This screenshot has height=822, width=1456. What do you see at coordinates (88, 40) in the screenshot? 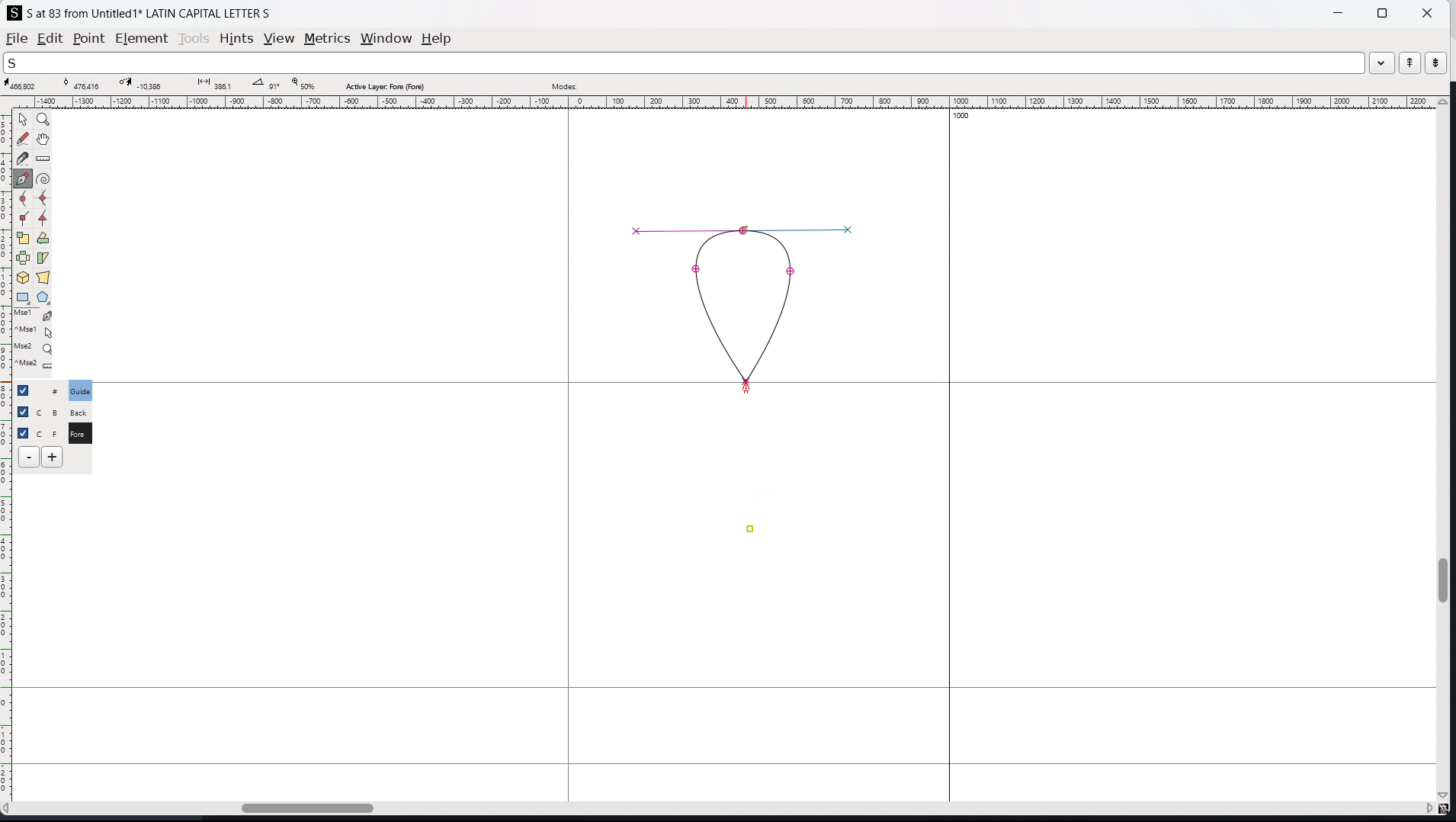
I see `point` at bounding box center [88, 40].